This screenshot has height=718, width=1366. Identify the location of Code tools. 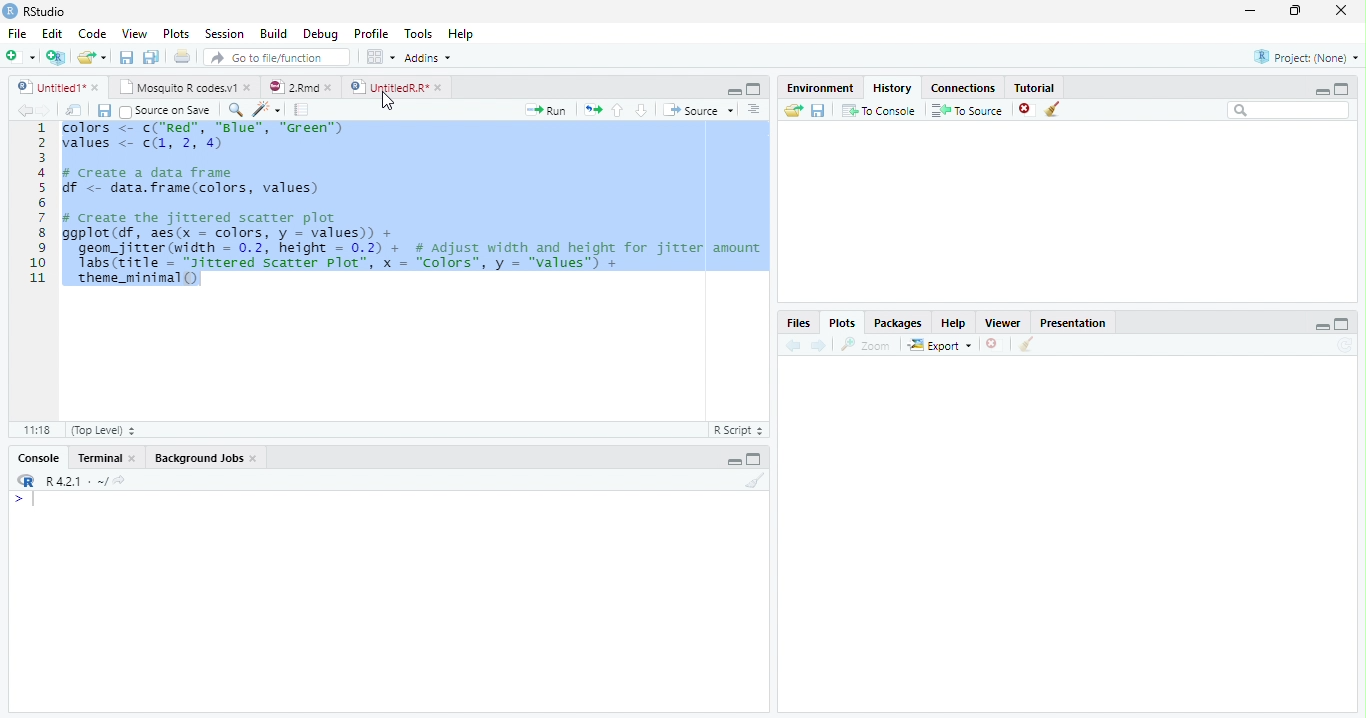
(268, 110).